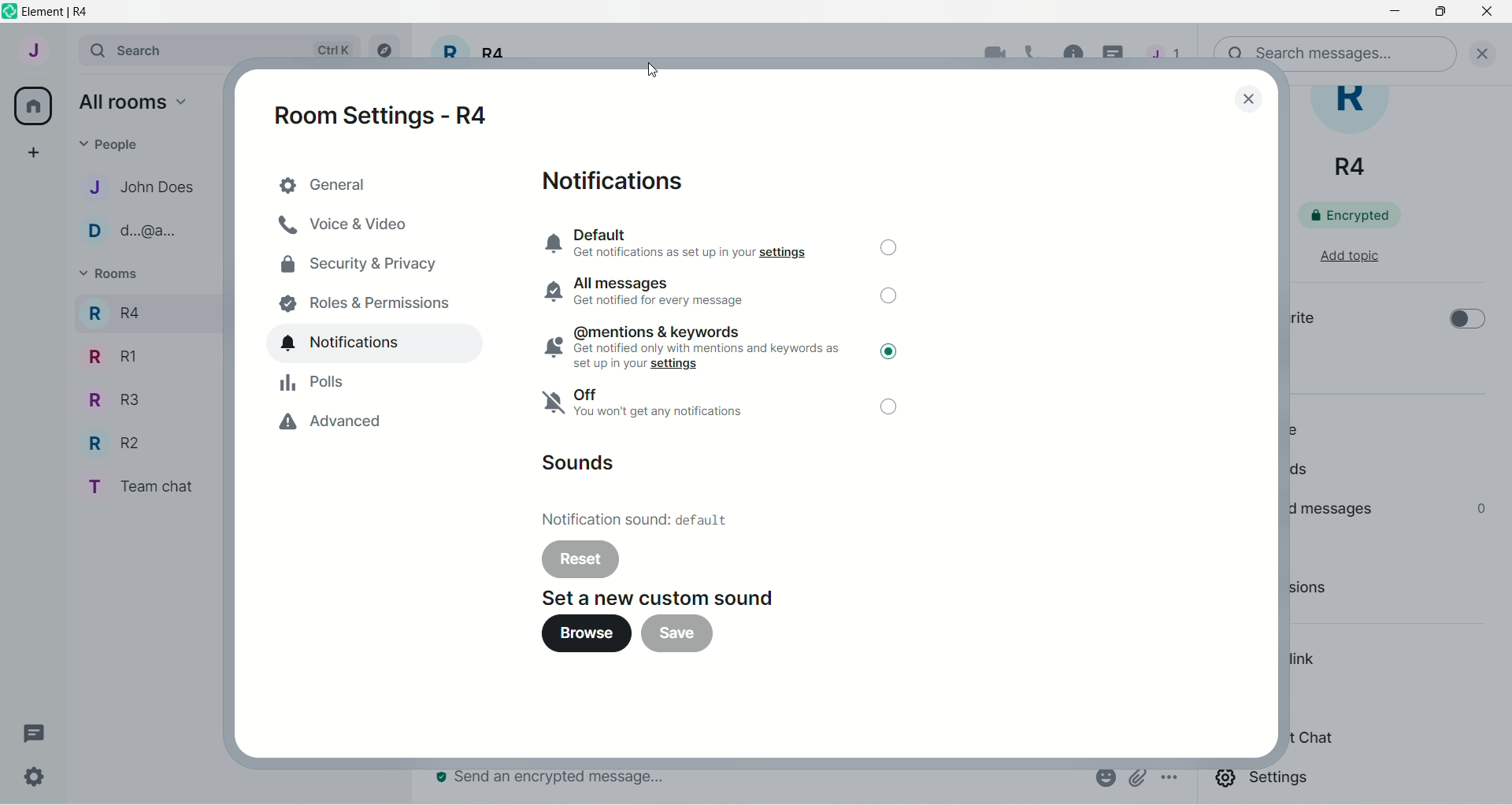 The image size is (1512, 805). I want to click on Cursor, so click(902, 362).